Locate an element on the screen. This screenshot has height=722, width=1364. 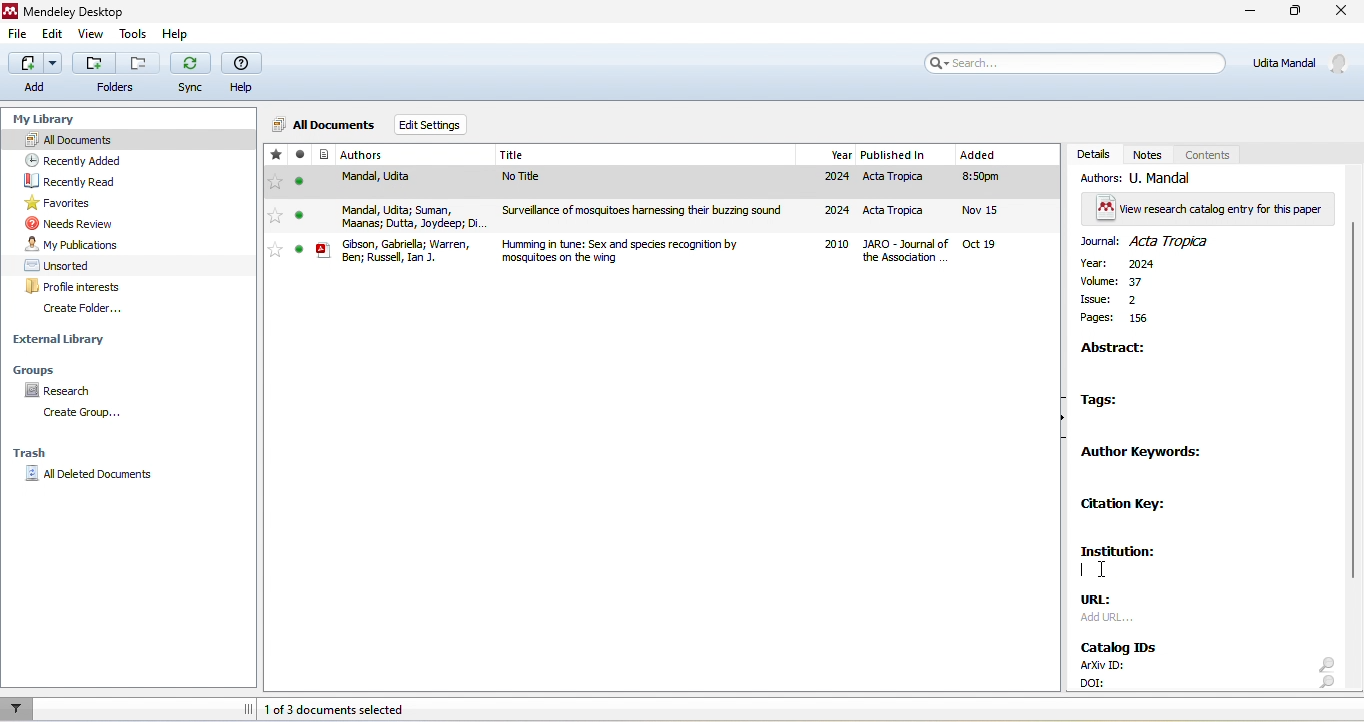
sync is located at coordinates (191, 72).